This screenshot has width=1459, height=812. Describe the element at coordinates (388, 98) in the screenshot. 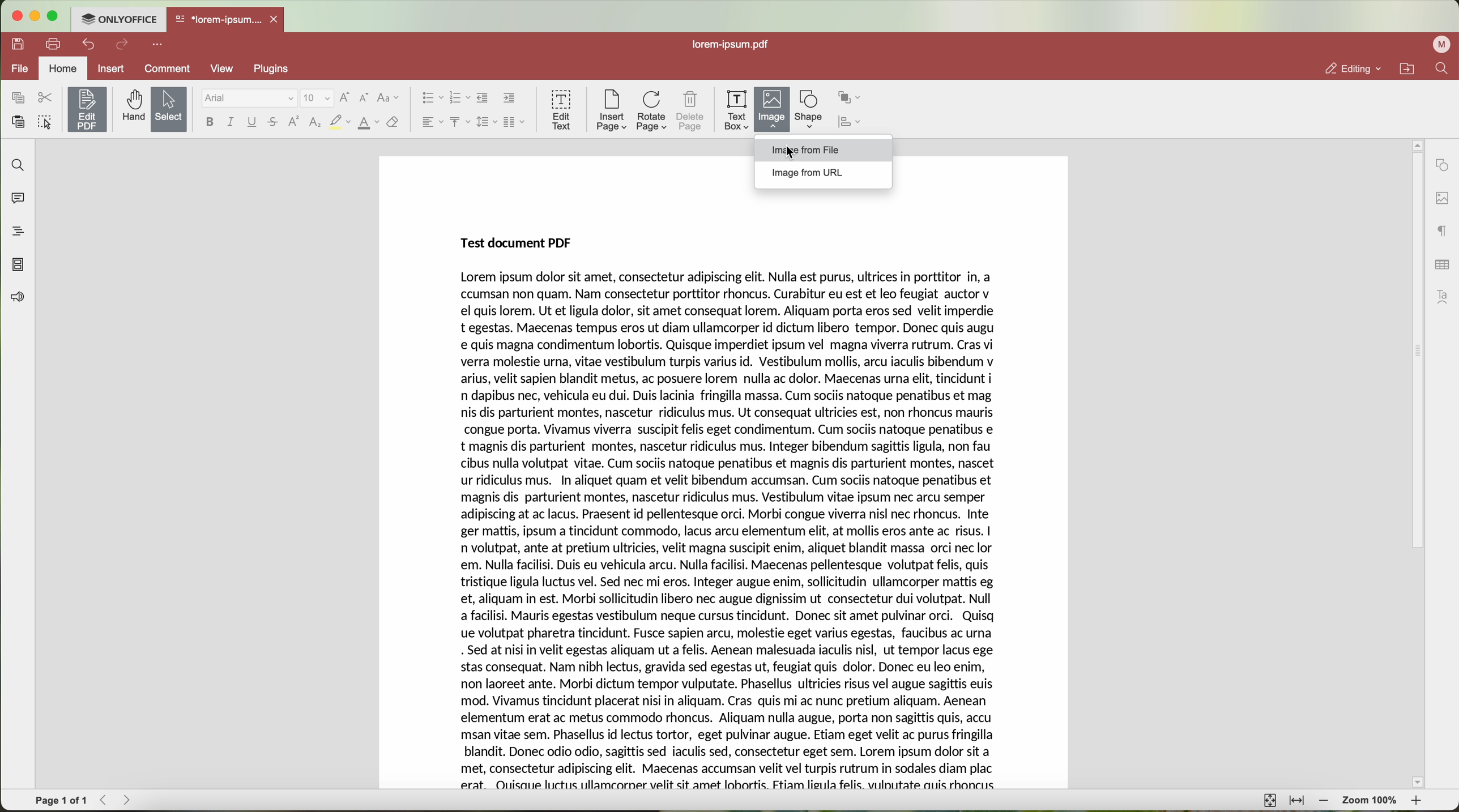

I see `change case` at that location.